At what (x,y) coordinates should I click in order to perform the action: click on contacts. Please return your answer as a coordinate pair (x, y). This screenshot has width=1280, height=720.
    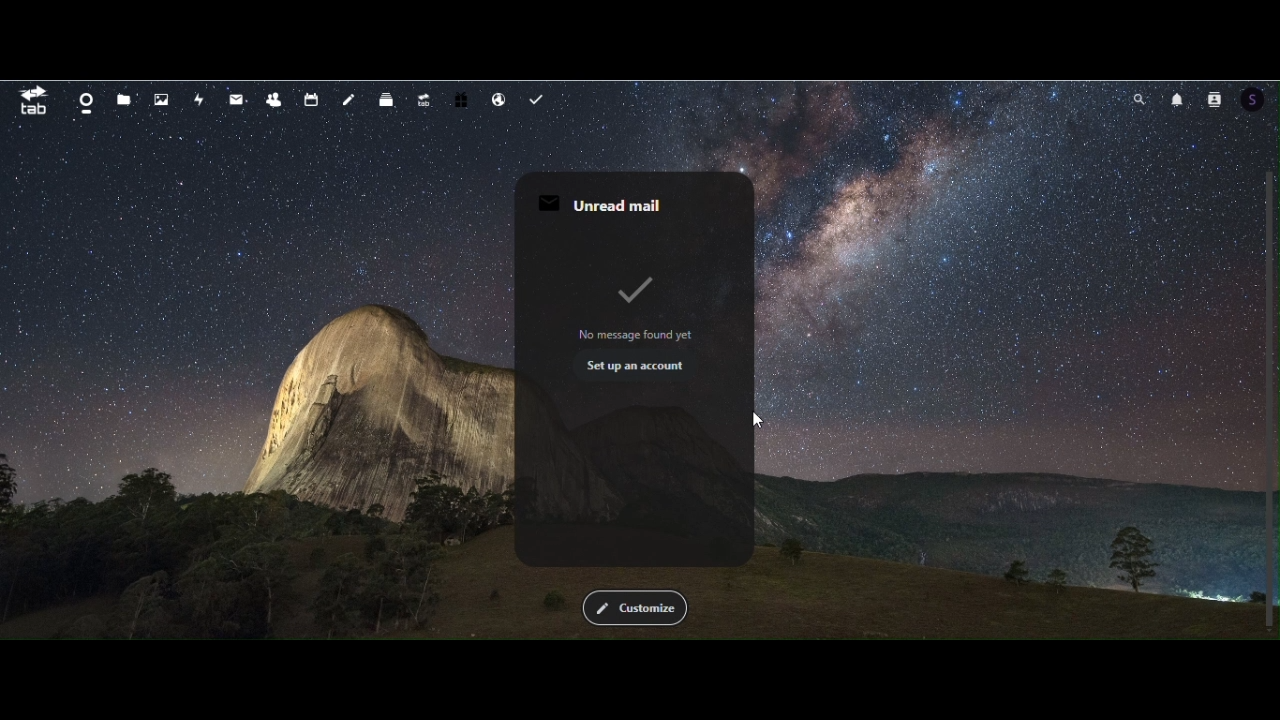
    Looking at the image, I should click on (1218, 97).